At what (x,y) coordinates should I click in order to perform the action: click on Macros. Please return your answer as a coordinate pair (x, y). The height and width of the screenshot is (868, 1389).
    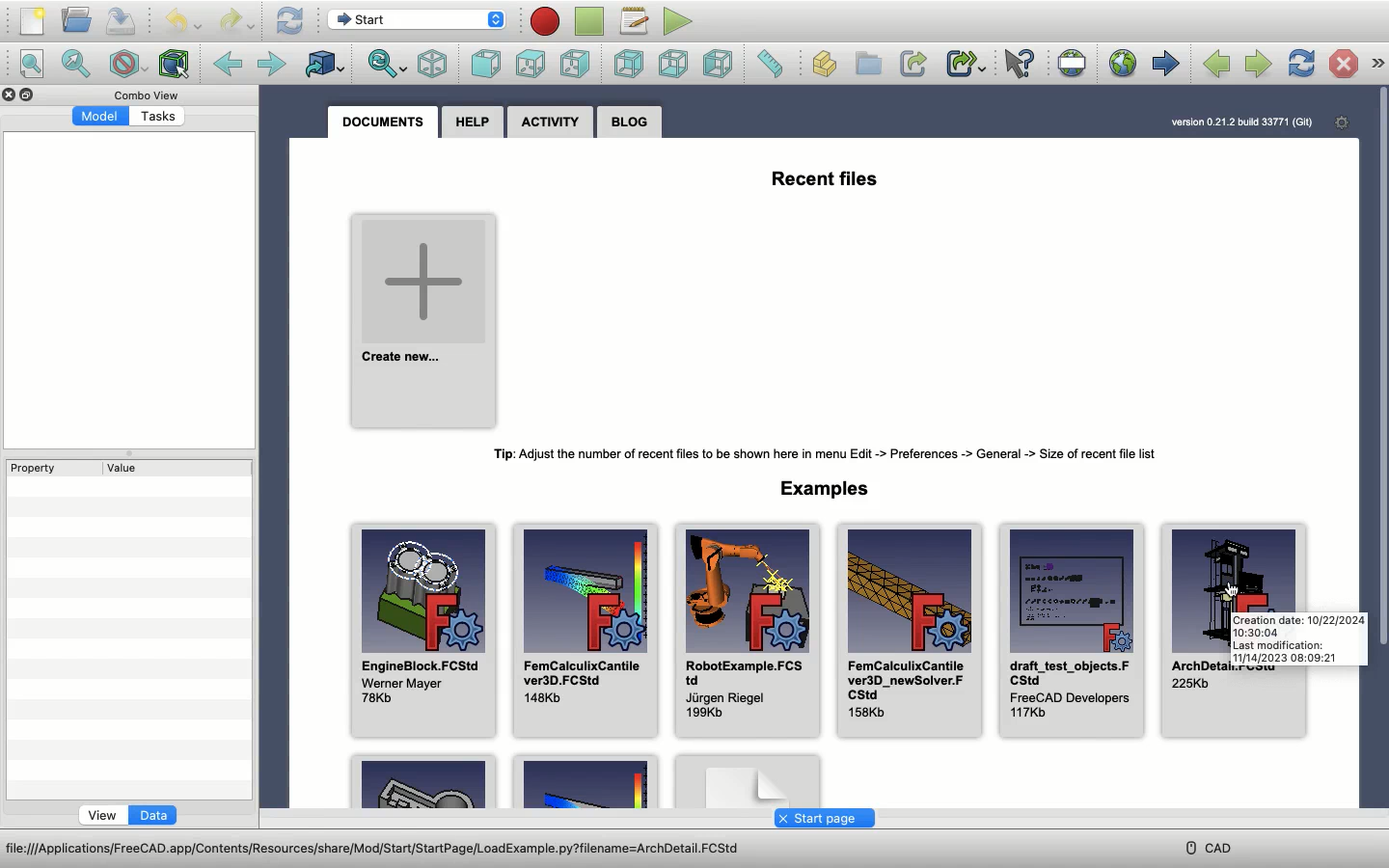
    Looking at the image, I should click on (635, 20).